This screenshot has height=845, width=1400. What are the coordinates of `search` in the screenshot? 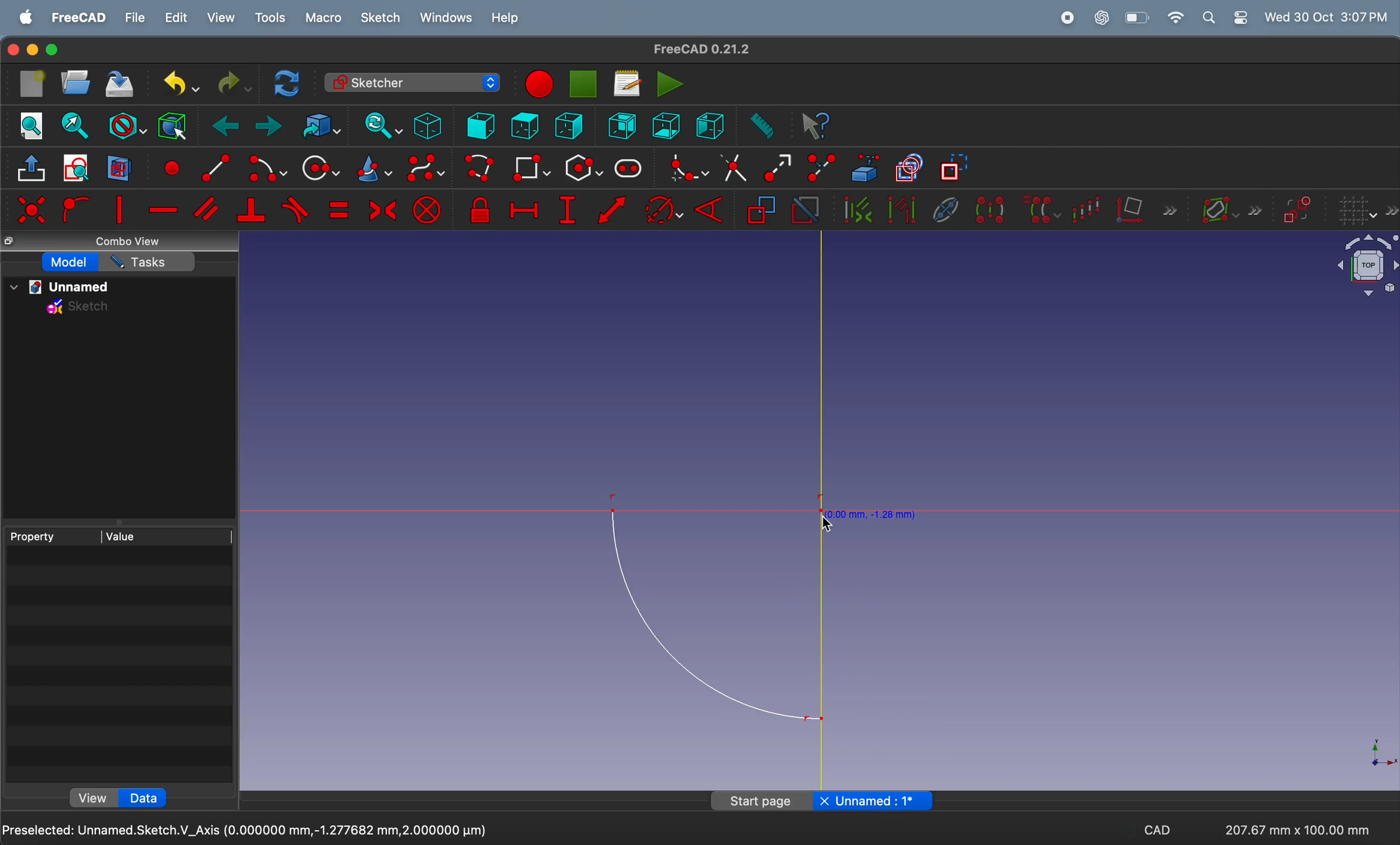 It's located at (1209, 18).